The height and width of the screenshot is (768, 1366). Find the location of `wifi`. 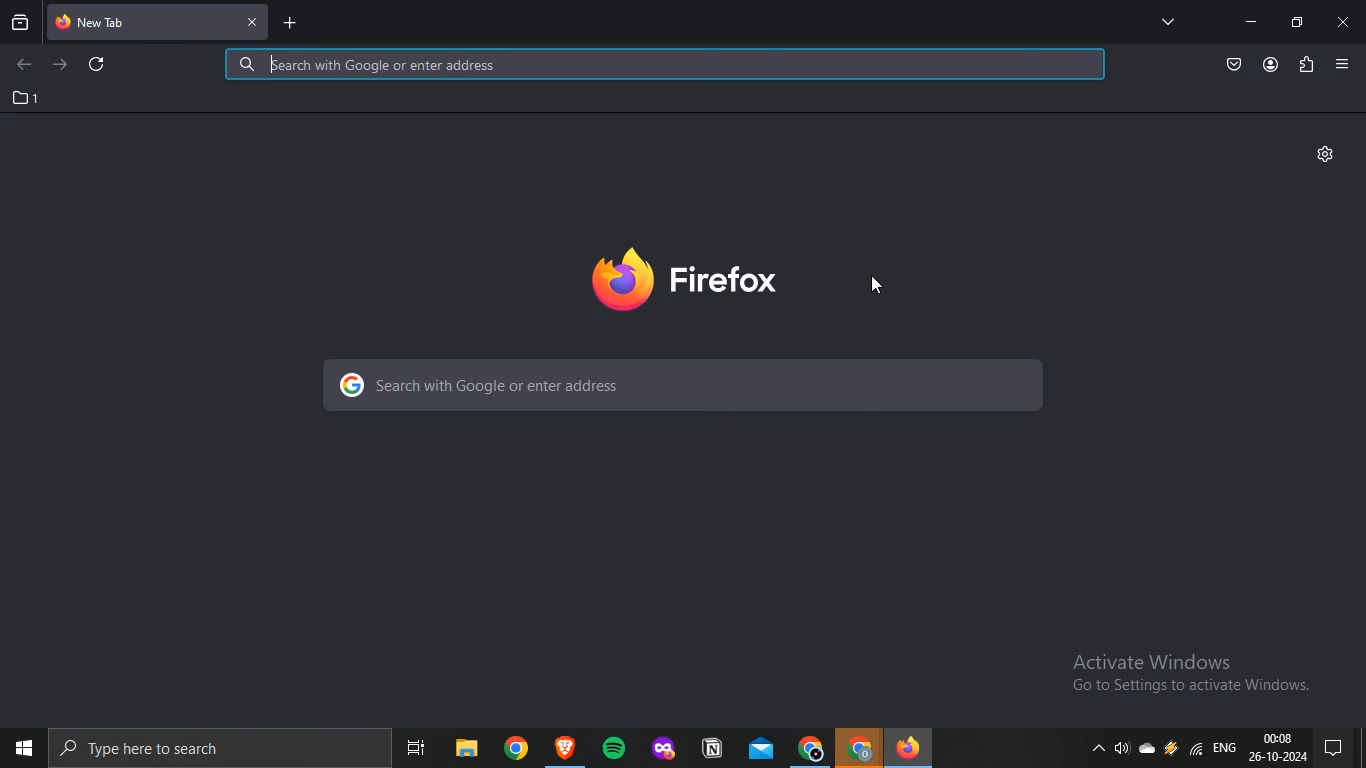

wifi is located at coordinates (1197, 752).